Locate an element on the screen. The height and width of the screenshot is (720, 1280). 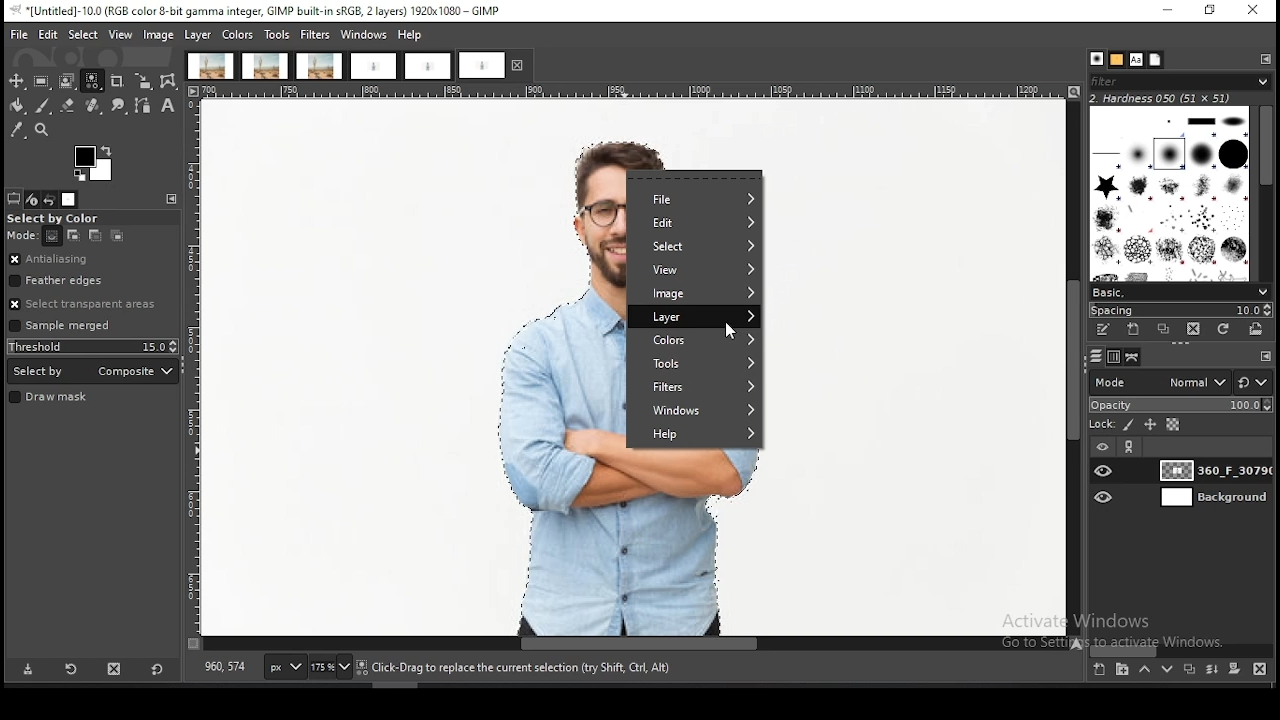
blend mode is located at coordinates (1159, 382).